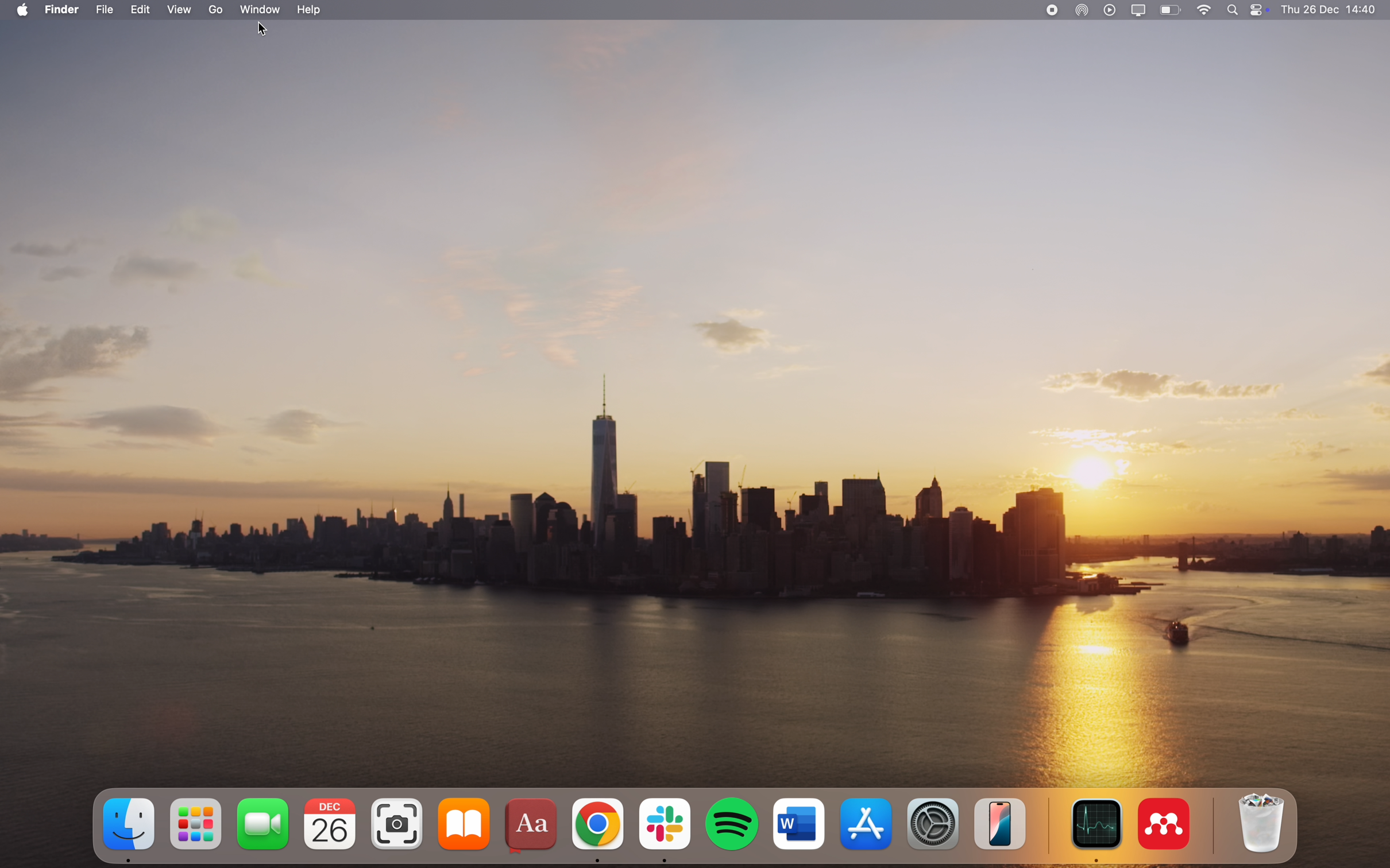 Image resolution: width=1390 pixels, height=868 pixels. I want to click on edit, so click(144, 8).